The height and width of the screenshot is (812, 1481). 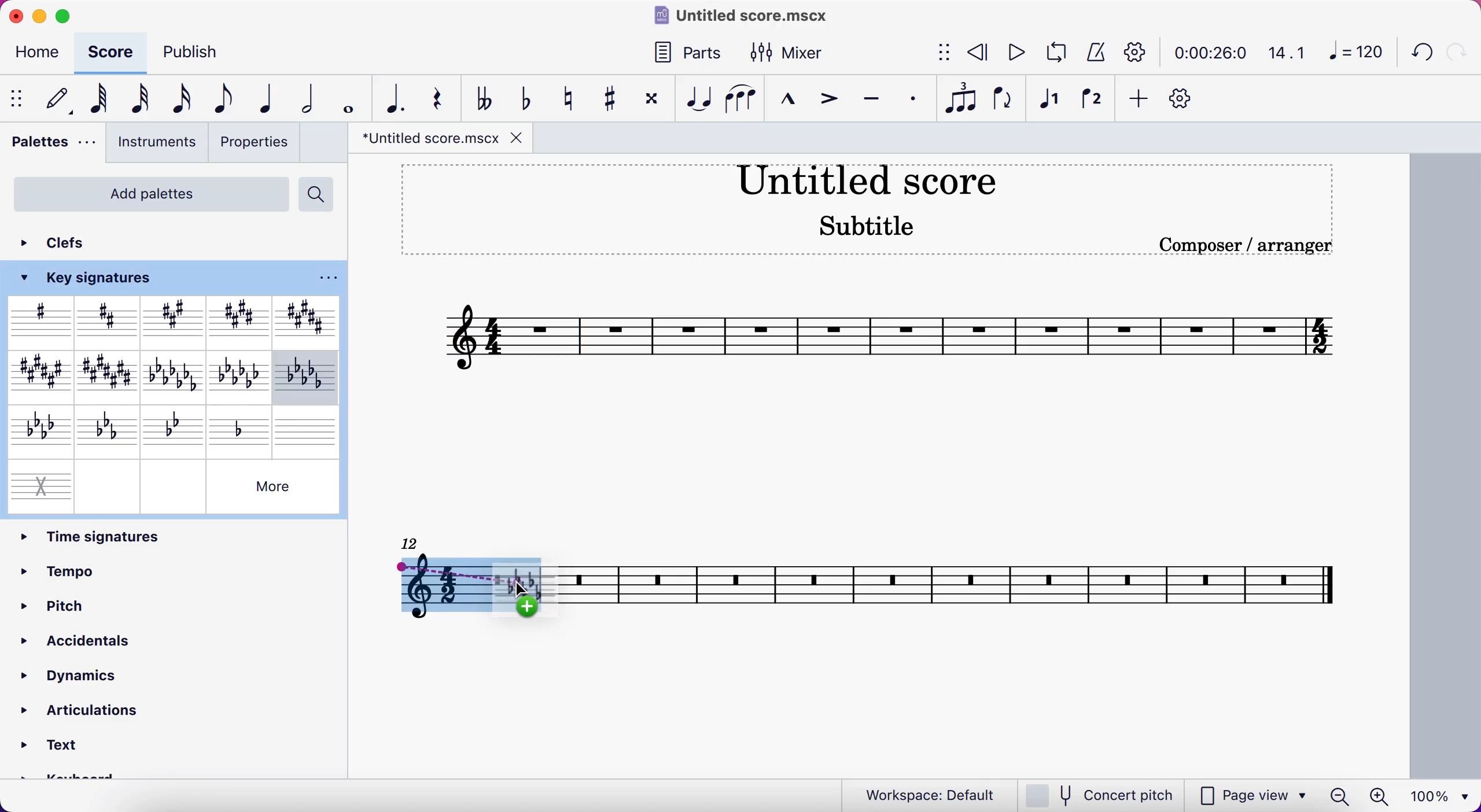 I want to click on undo, so click(x=1417, y=54).